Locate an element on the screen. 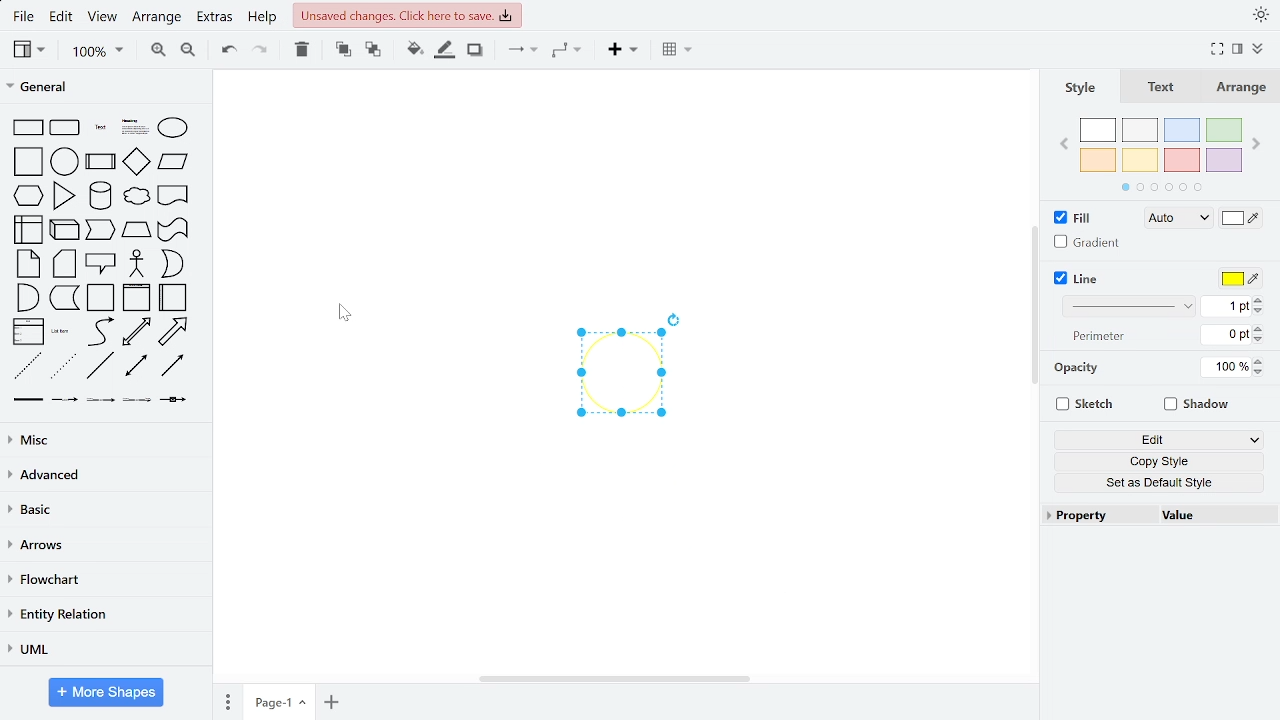 The image size is (1280, 720). increase opacity is located at coordinates (1261, 360).